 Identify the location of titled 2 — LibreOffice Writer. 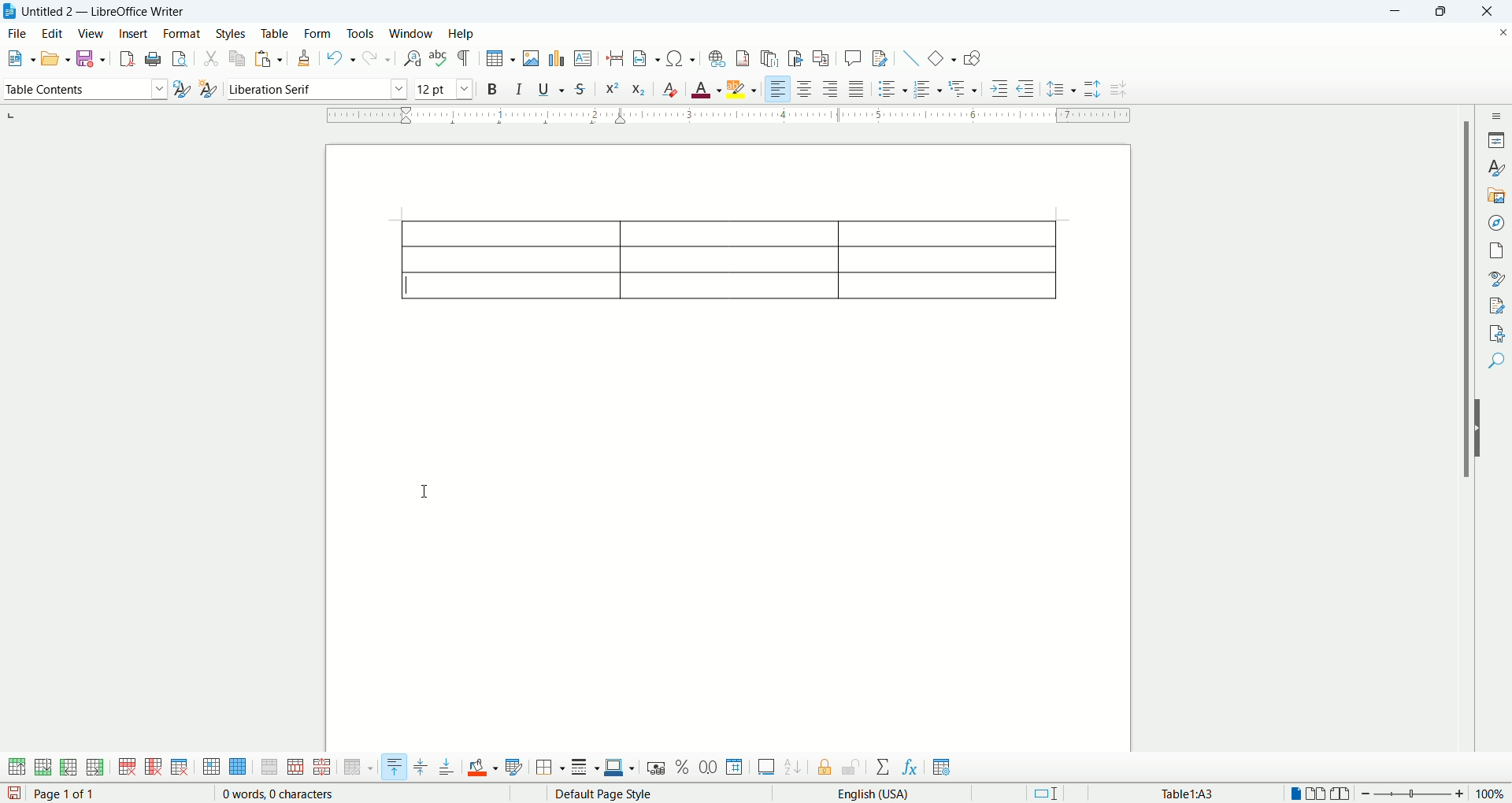
(111, 11).